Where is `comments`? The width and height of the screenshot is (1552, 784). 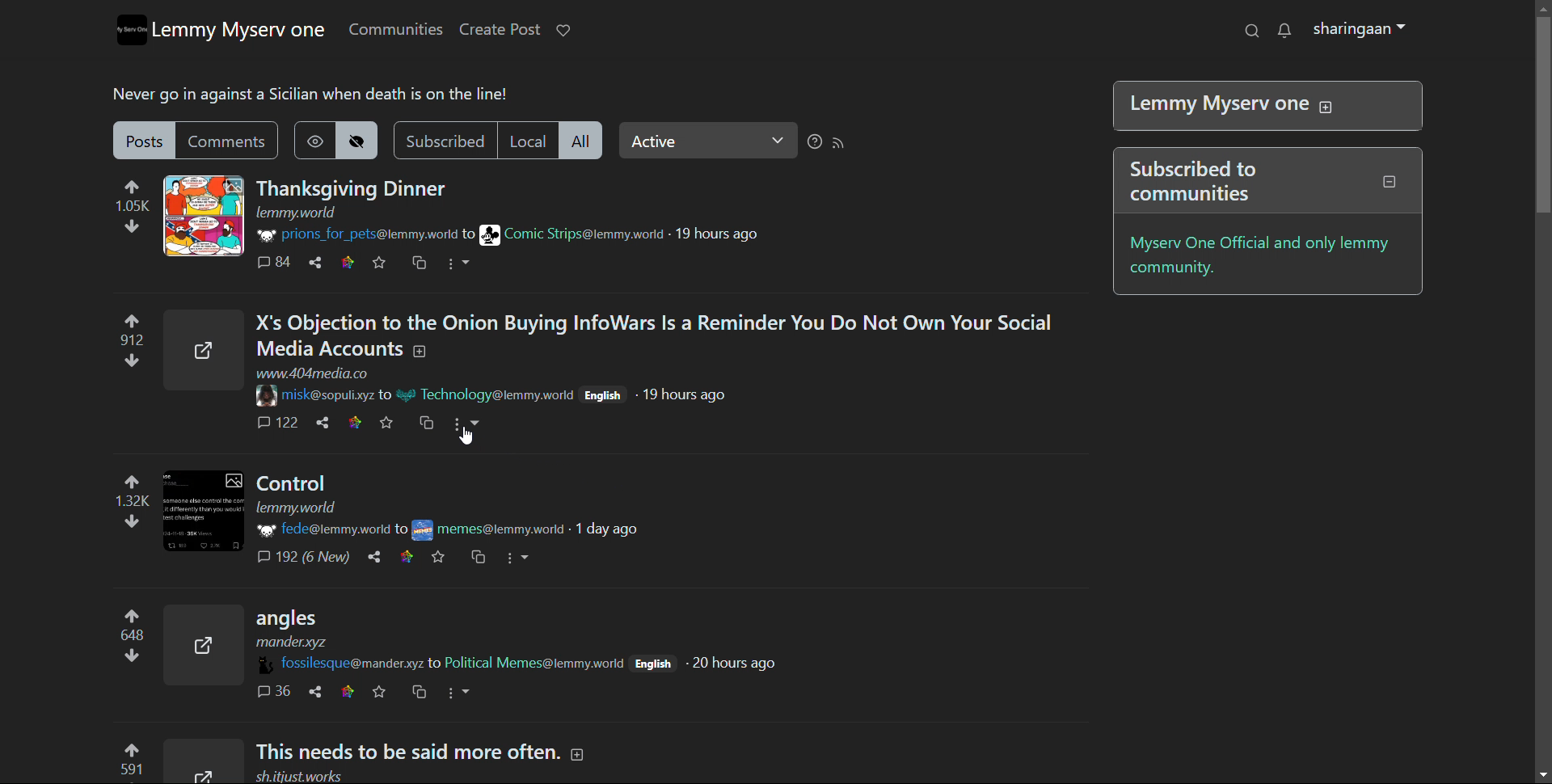
comments is located at coordinates (230, 142).